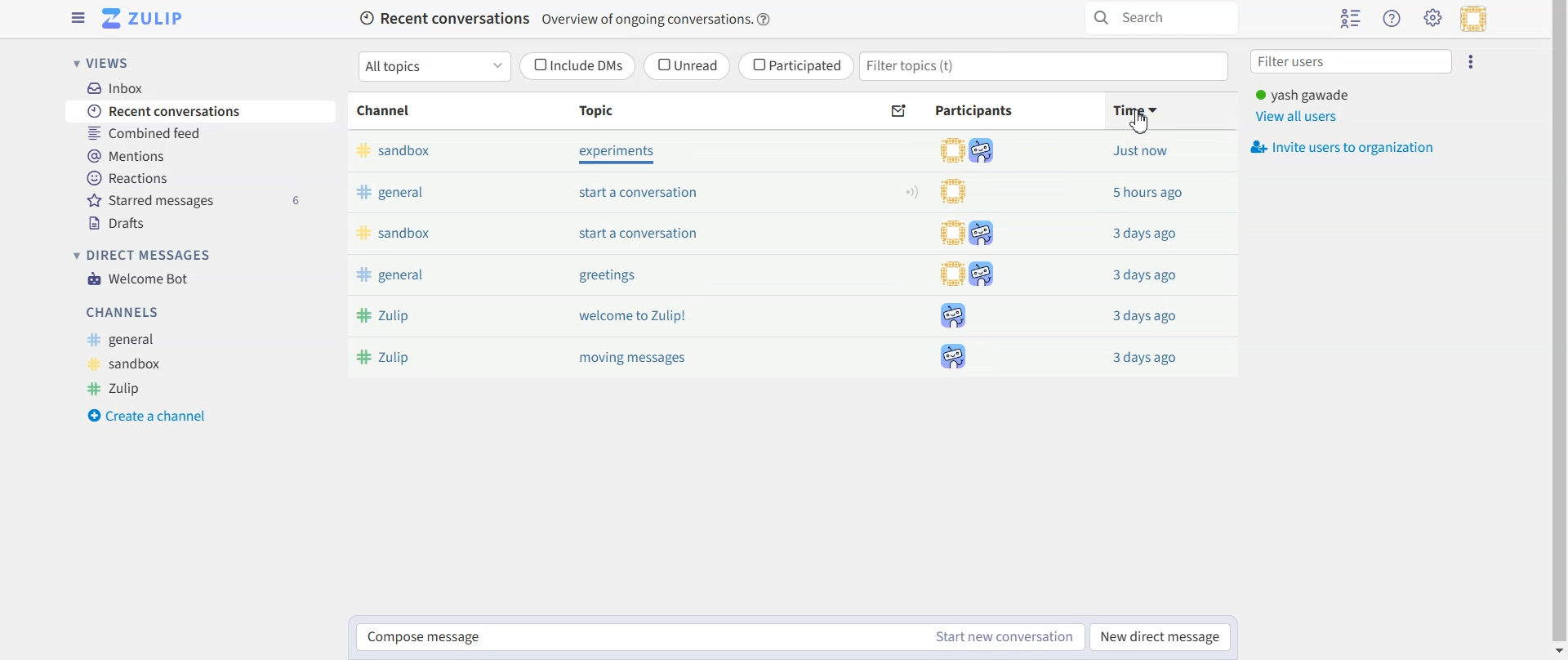 Image resolution: width=1568 pixels, height=660 pixels. Describe the element at coordinates (1149, 234) in the screenshot. I see `3daysago` at that location.